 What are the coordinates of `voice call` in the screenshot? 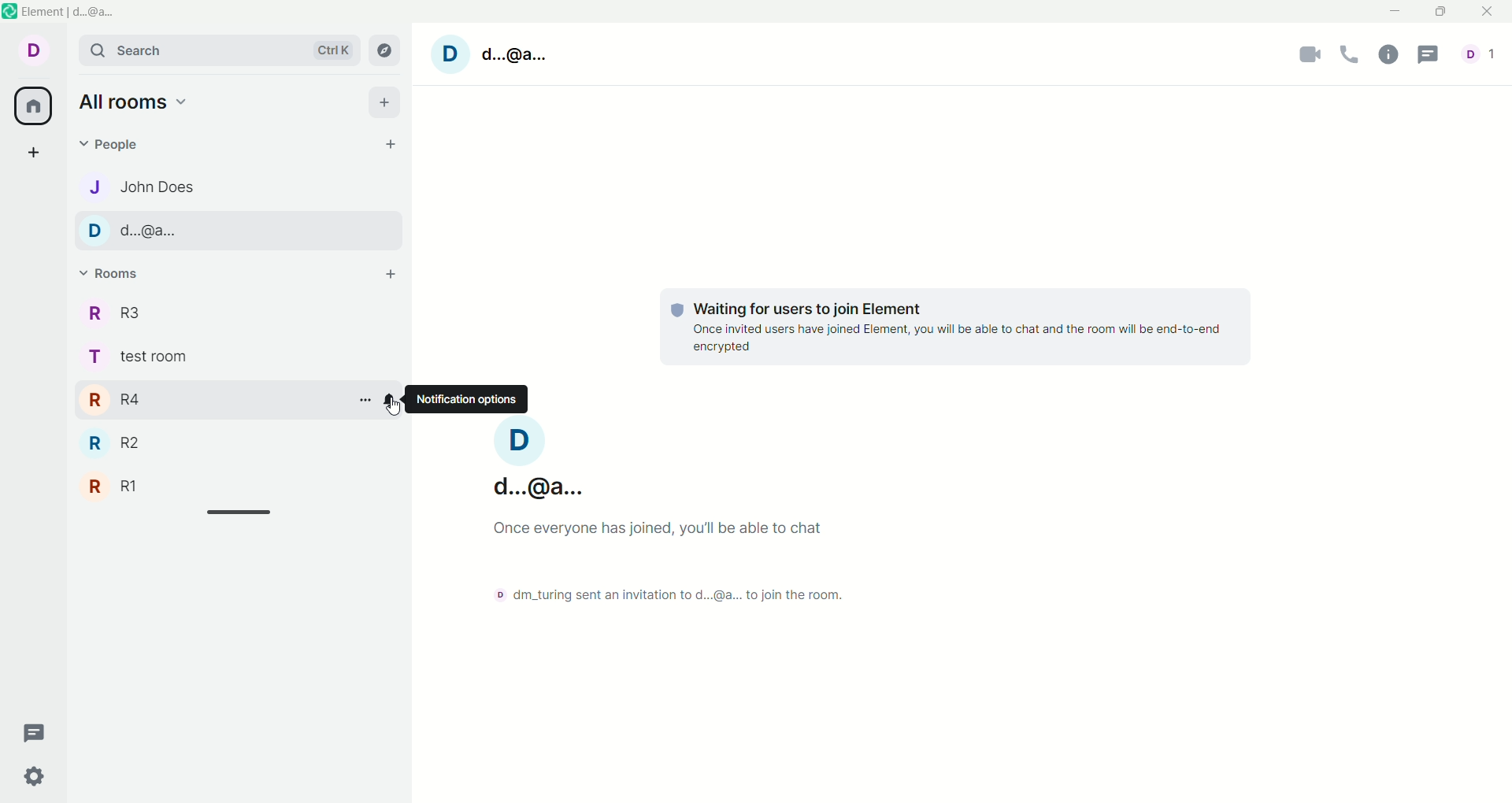 It's located at (1349, 55).